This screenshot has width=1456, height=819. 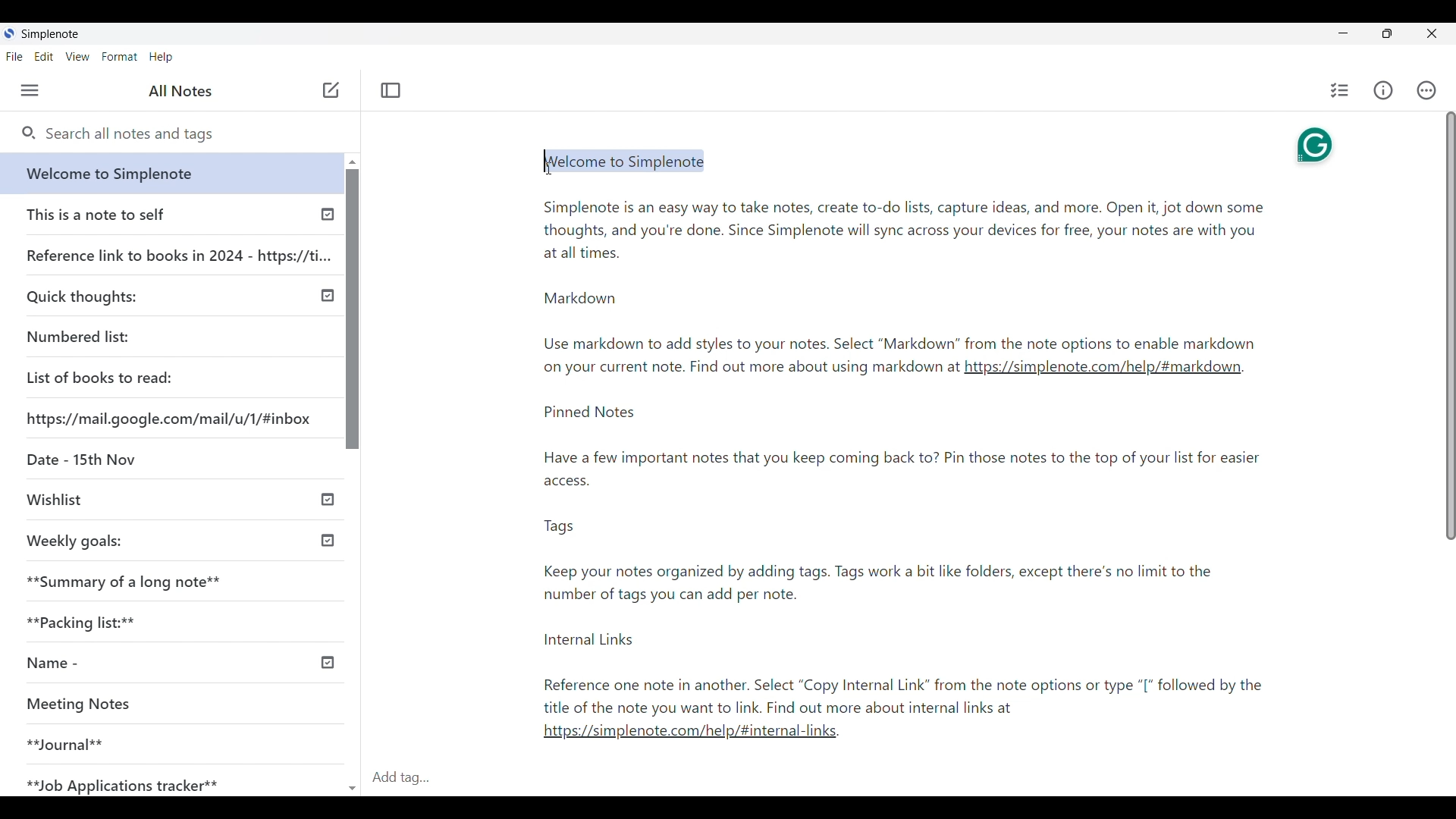 What do you see at coordinates (9, 33) in the screenshot?
I see `Software logo` at bounding box center [9, 33].